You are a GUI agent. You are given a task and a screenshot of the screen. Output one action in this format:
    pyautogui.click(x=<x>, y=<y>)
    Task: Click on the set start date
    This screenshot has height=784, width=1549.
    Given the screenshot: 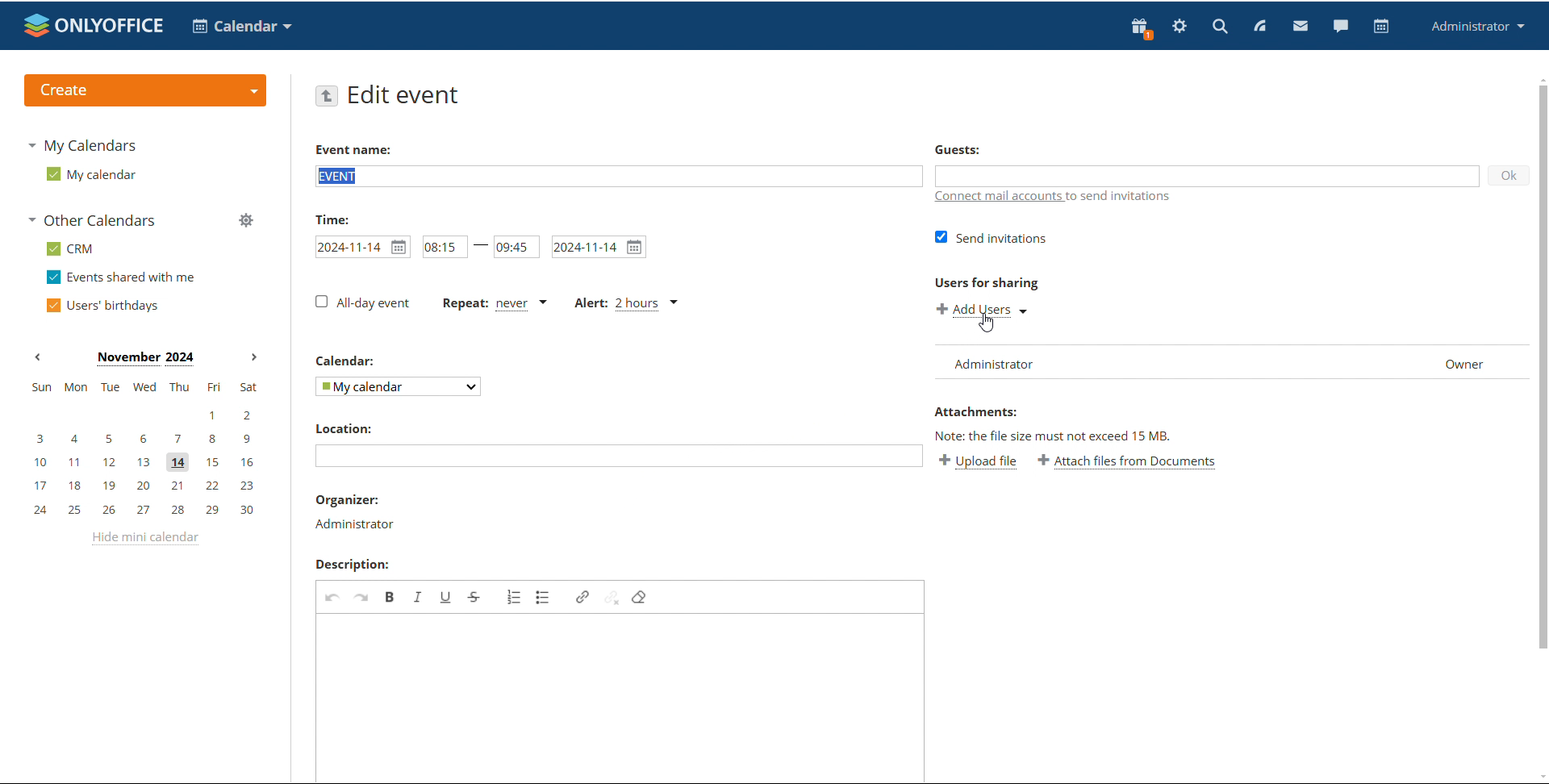 What is the action you would take?
    pyautogui.click(x=362, y=246)
    